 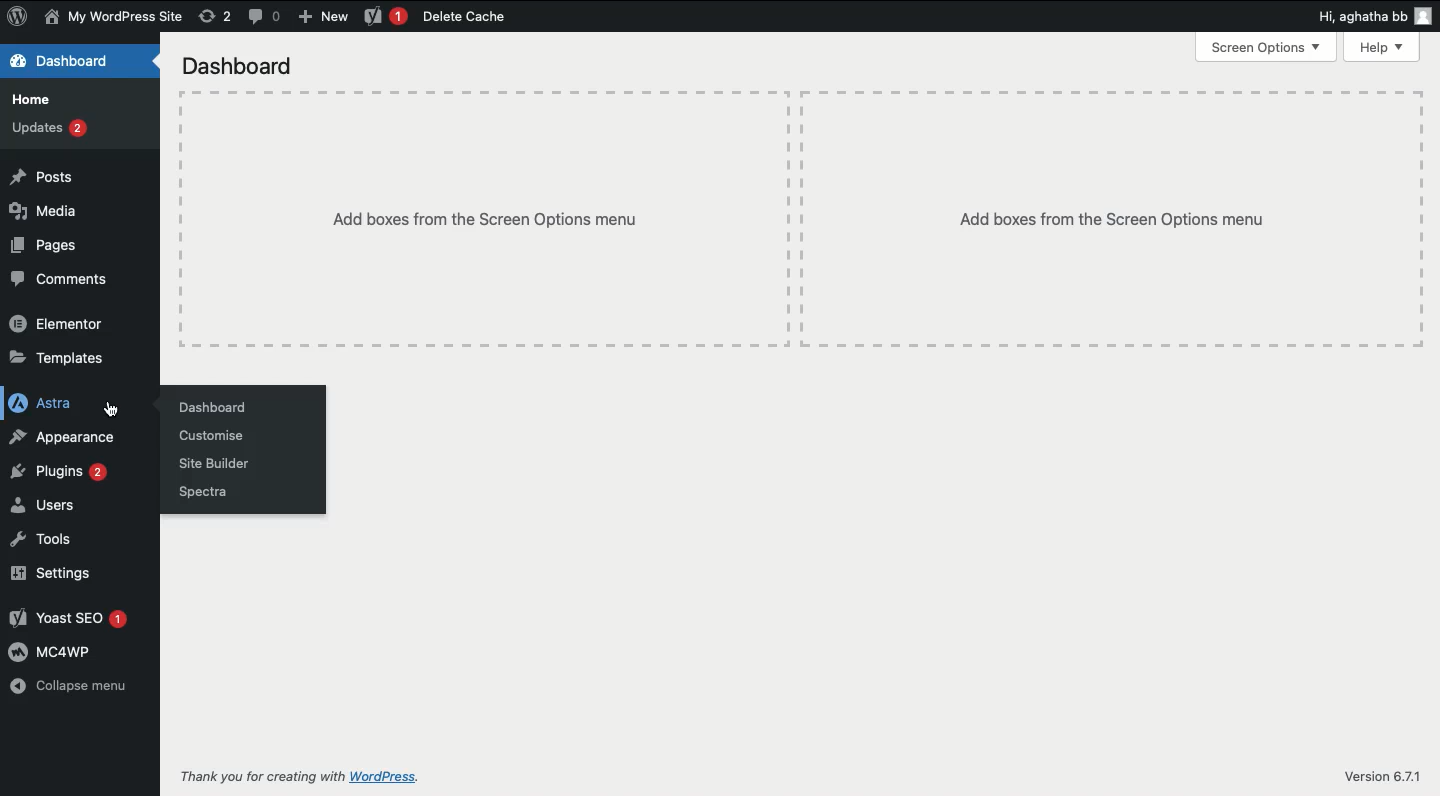 What do you see at coordinates (54, 573) in the screenshot?
I see `Settings` at bounding box center [54, 573].